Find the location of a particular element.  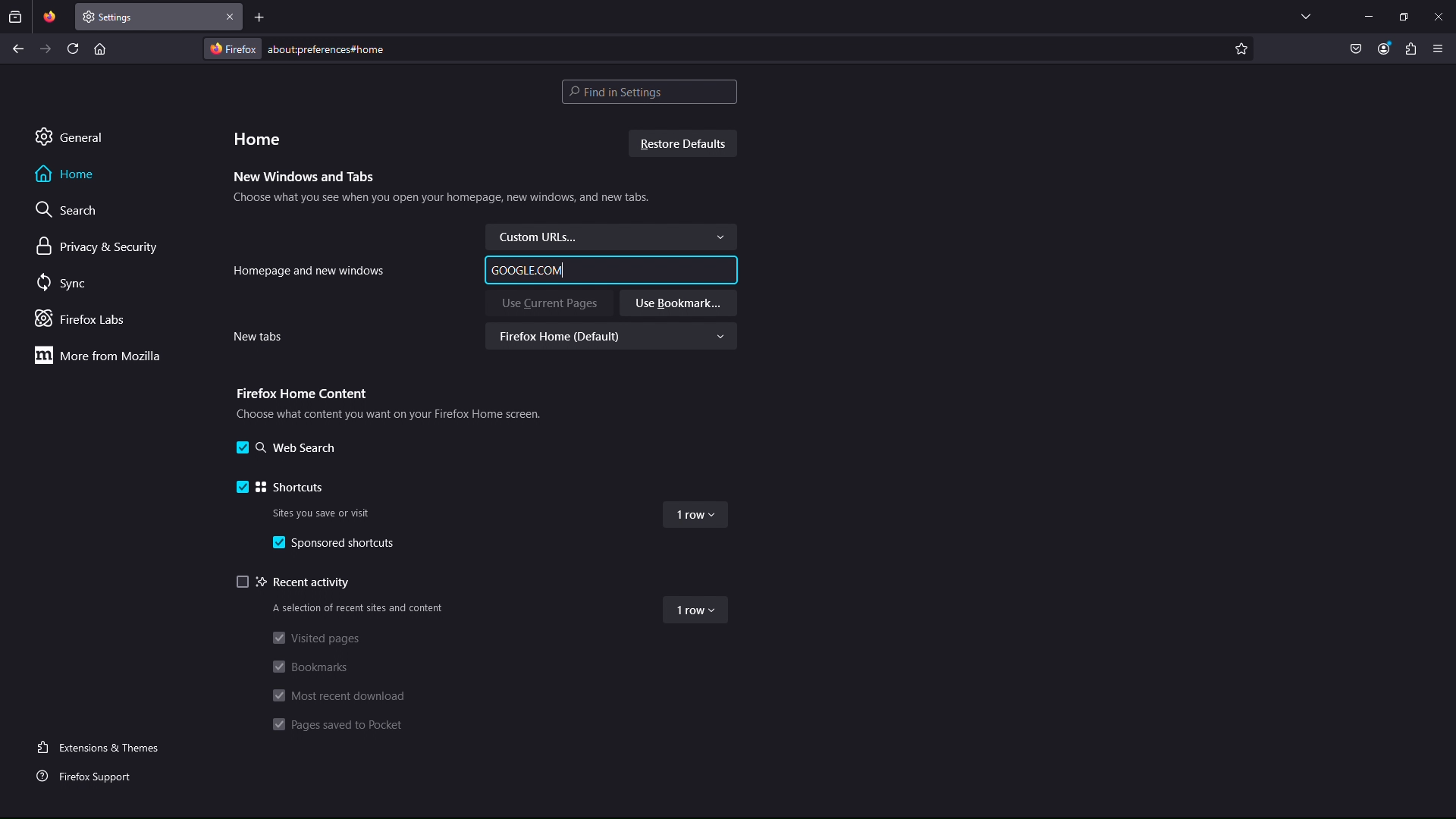

Sponsored shortcuts is located at coordinates (338, 544).